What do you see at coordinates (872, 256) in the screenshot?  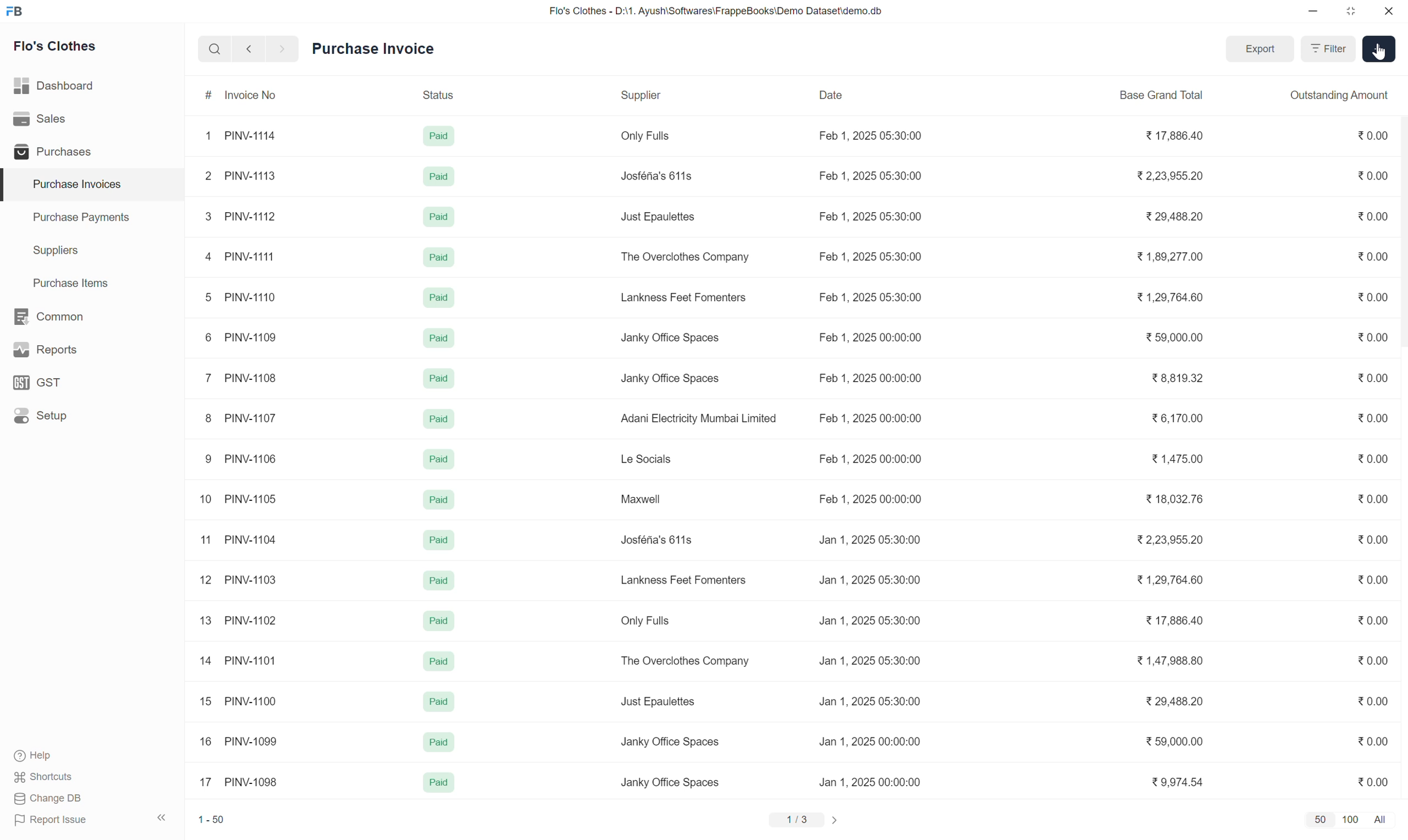 I see `Feb 1, 2025 05:30:00` at bounding box center [872, 256].